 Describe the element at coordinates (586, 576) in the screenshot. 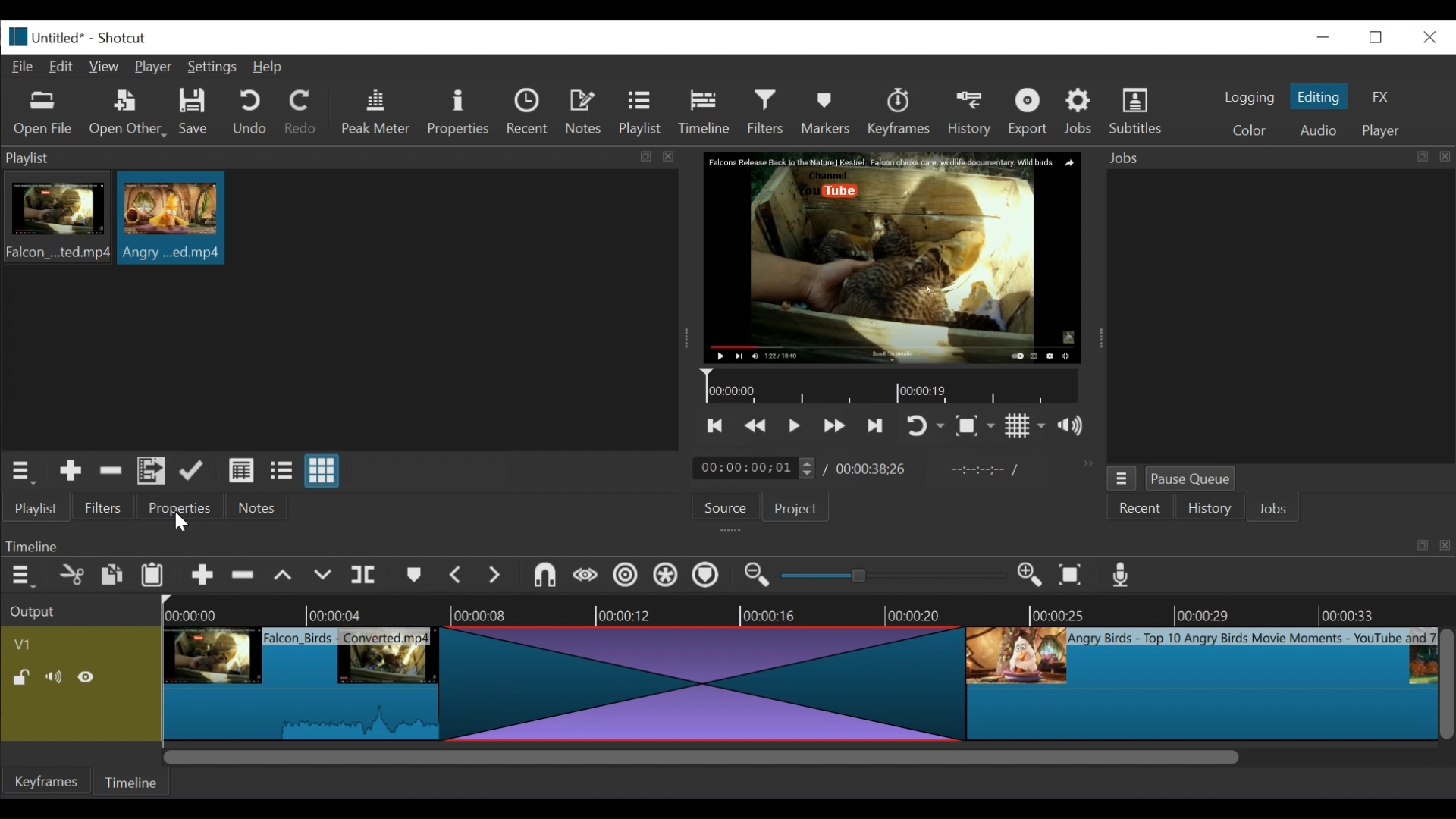

I see `scrub while dragging` at that location.